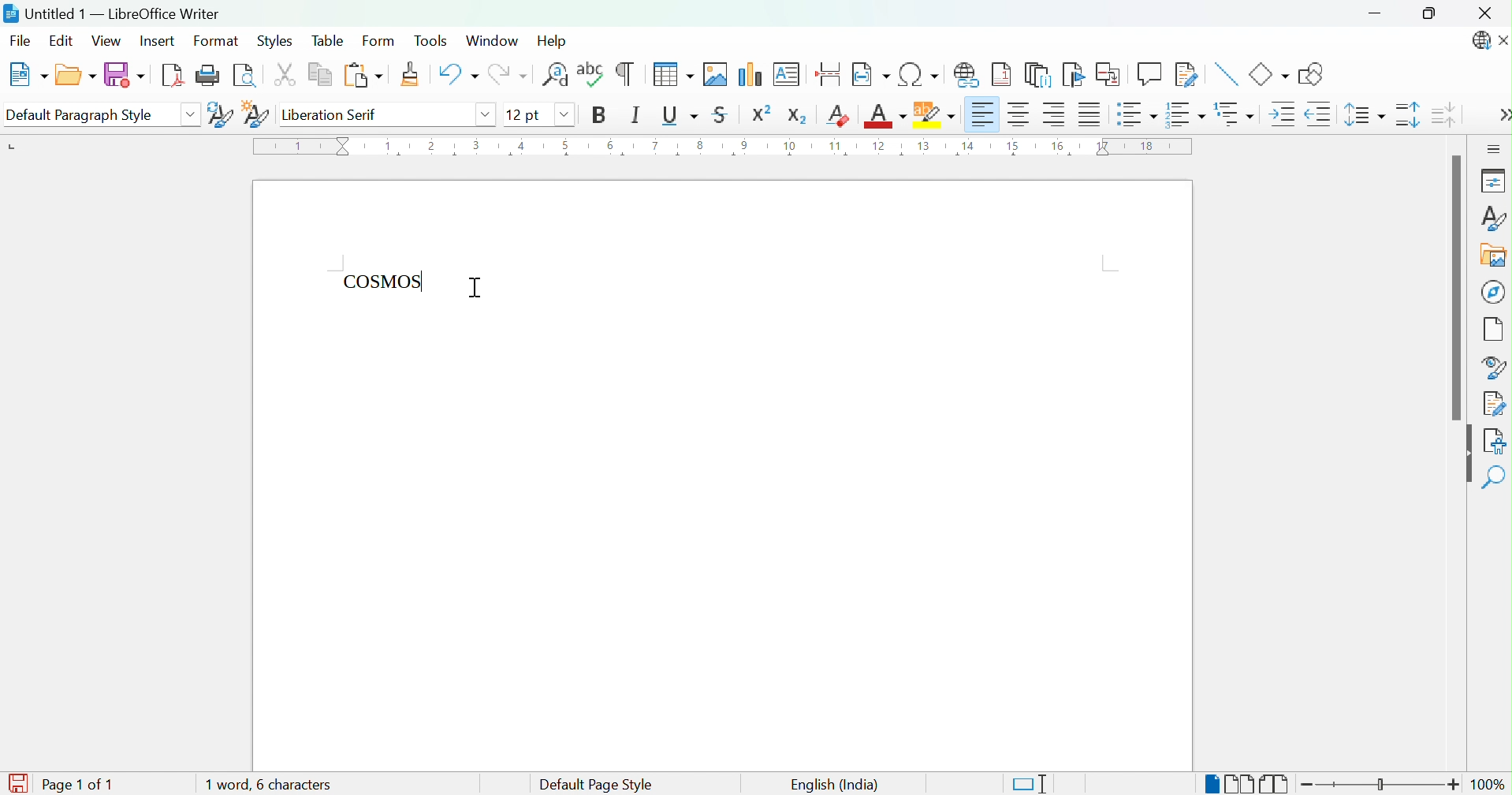 The height and width of the screenshot is (795, 1512). Describe the element at coordinates (840, 115) in the screenshot. I see `Clear Direct Formatting` at that location.